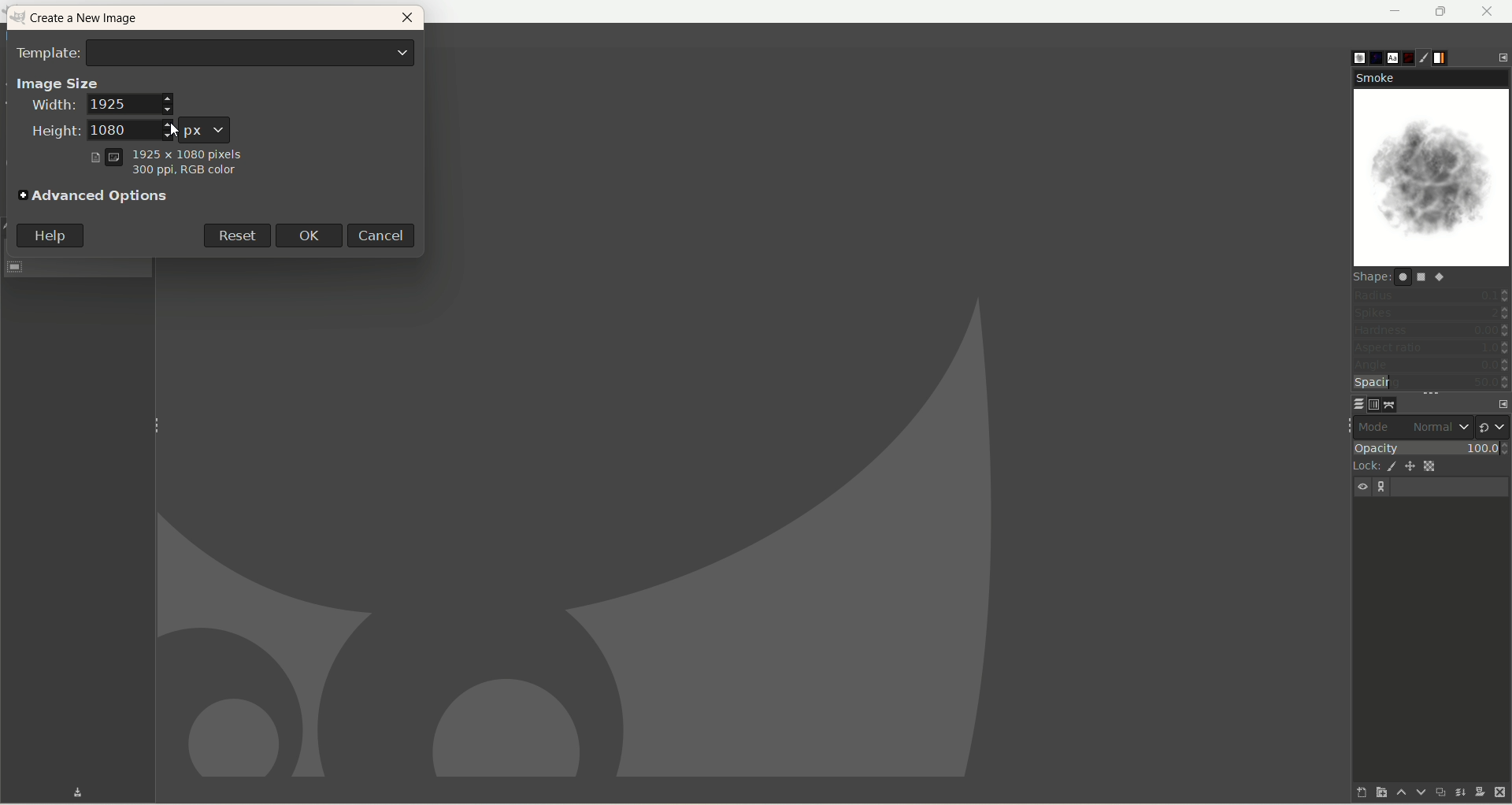 This screenshot has width=1512, height=805. Describe the element at coordinates (1348, 54) in the screenshot. I see `brush` at that location.